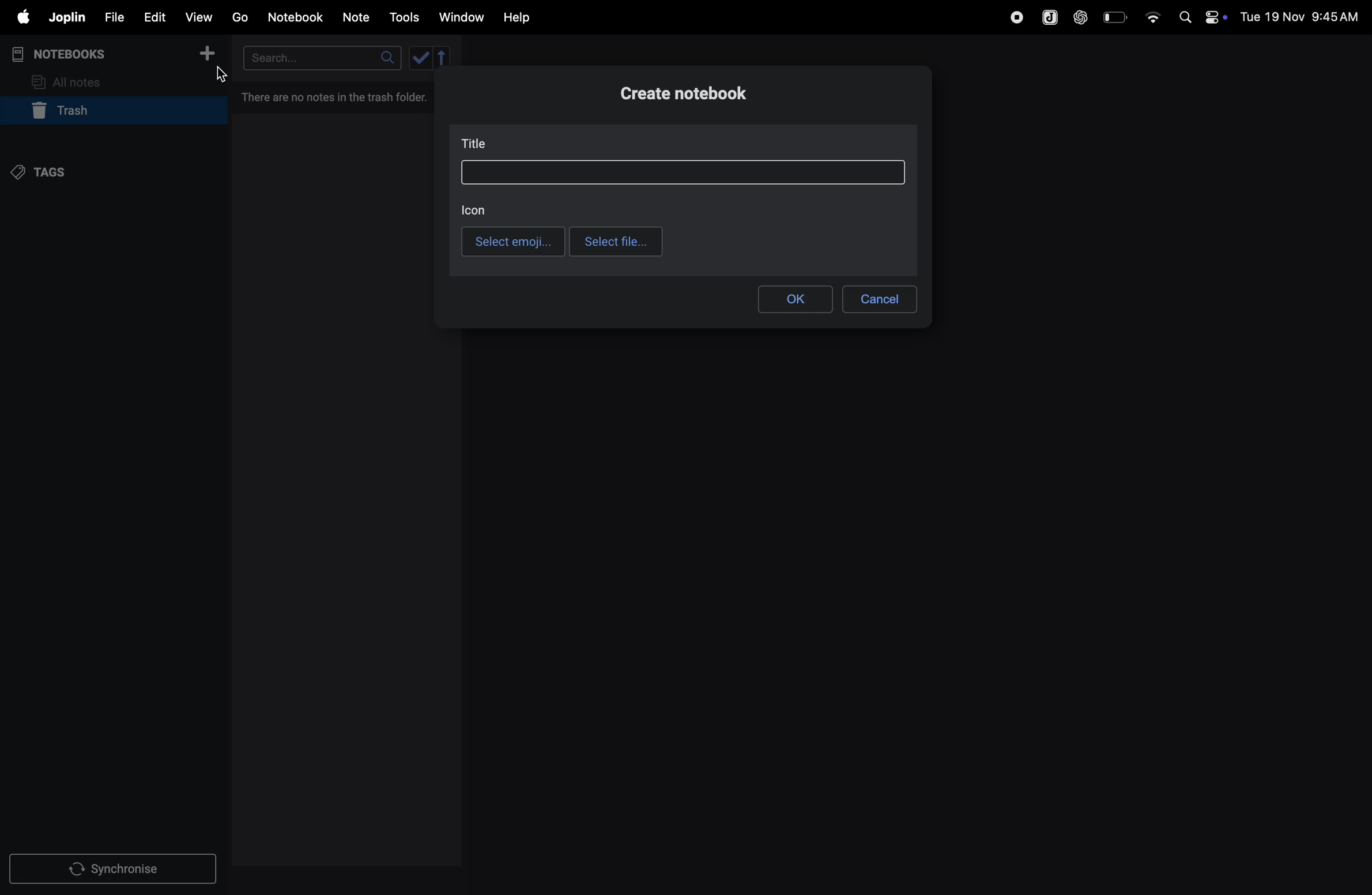 The height and width of the screenshot is (895, 1372). I want to click on notes, so click(357, 18).